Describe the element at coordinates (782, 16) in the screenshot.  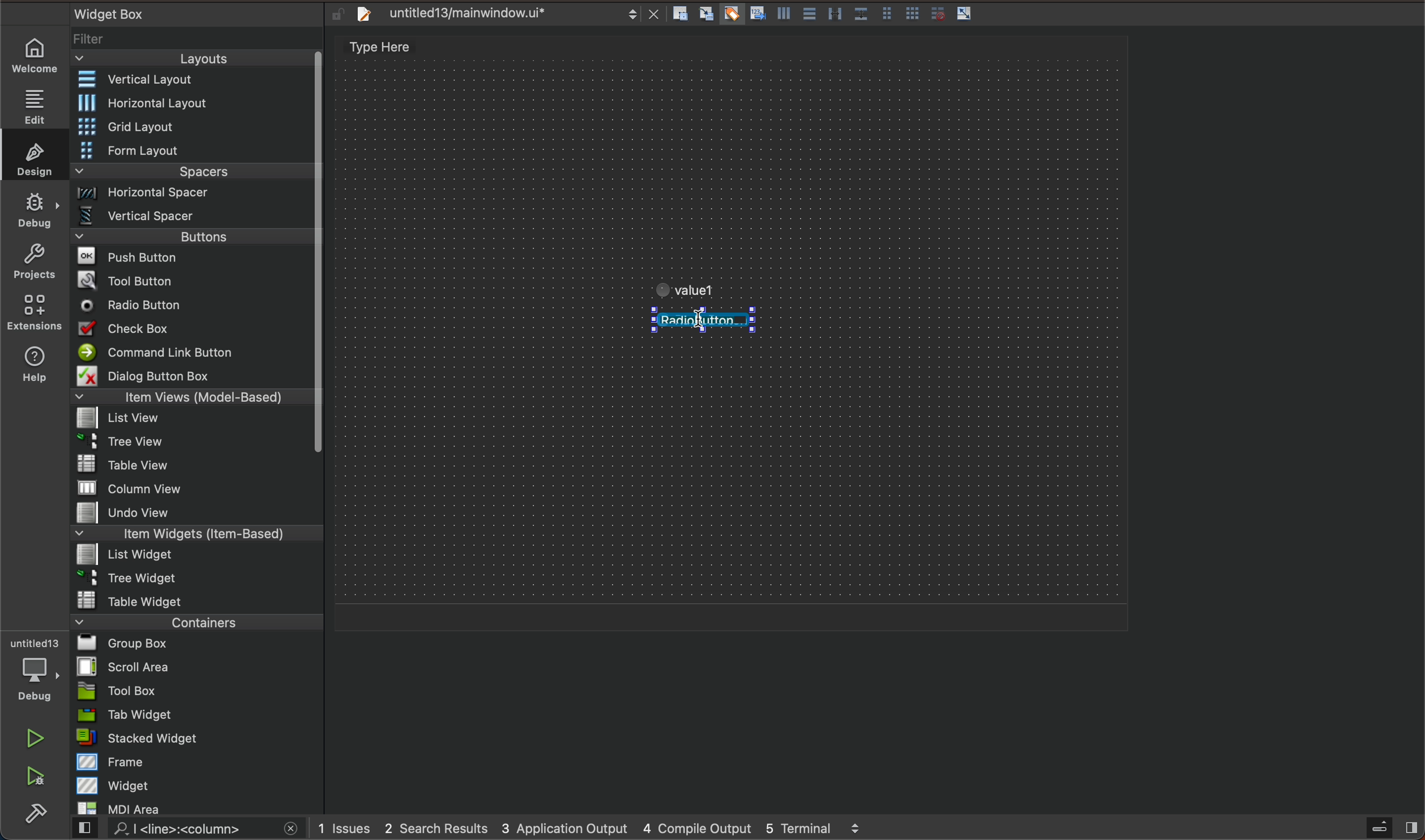
I see `` at that location.